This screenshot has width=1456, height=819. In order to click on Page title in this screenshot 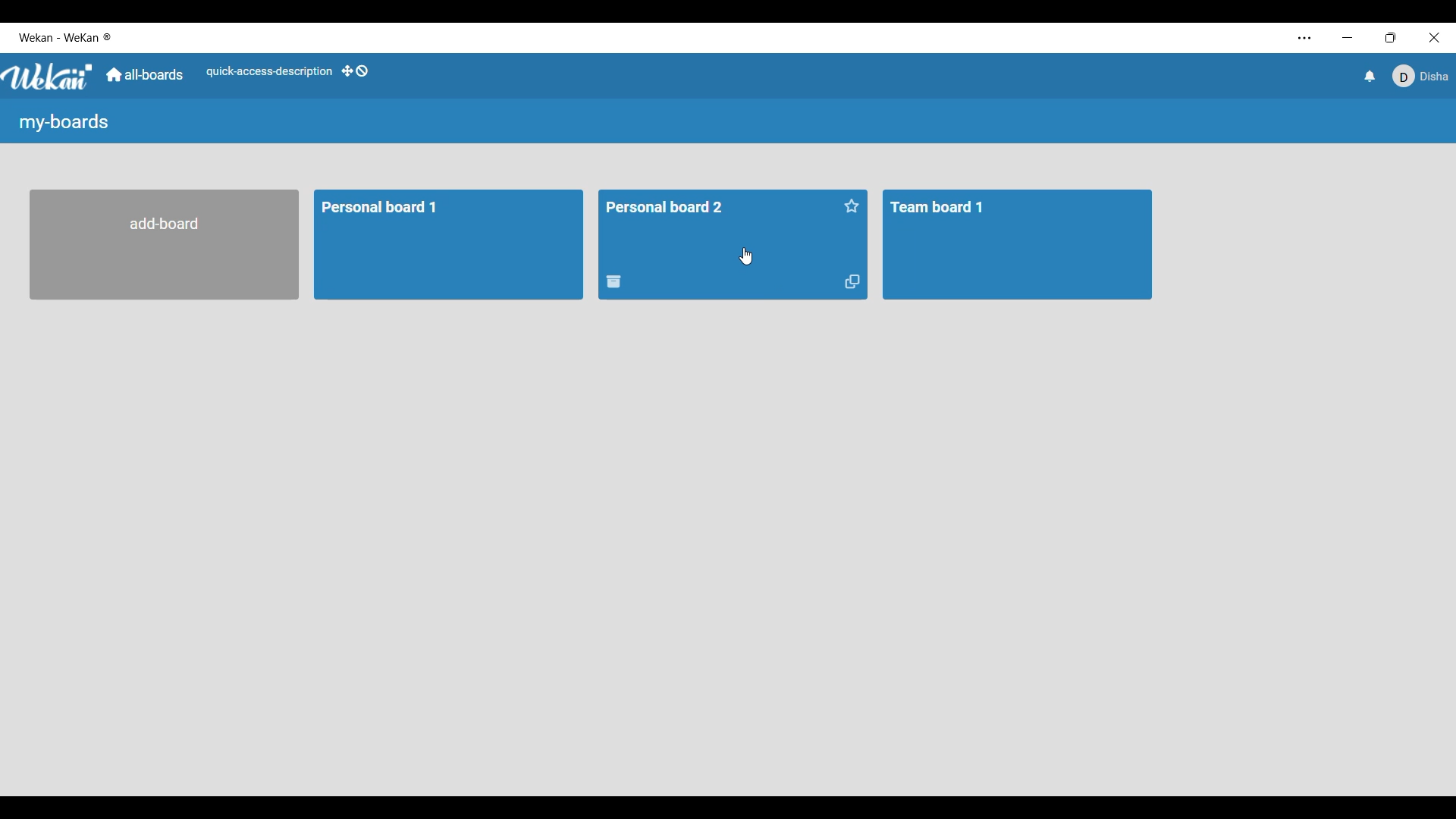, I will do `click(64, 123)`.